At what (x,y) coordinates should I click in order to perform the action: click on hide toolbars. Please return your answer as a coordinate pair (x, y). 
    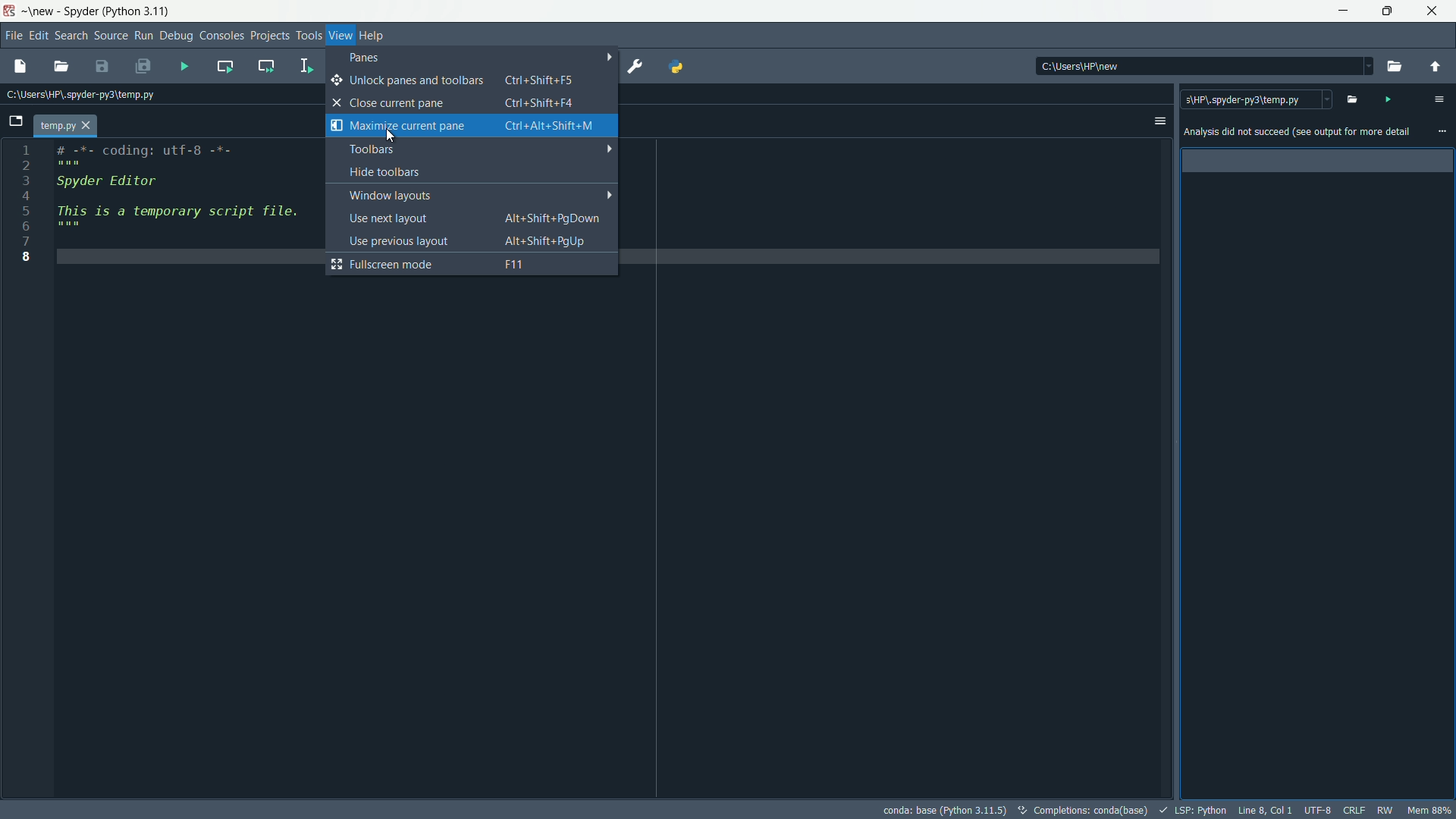
    Looking at the image, I should click on (472, 173).